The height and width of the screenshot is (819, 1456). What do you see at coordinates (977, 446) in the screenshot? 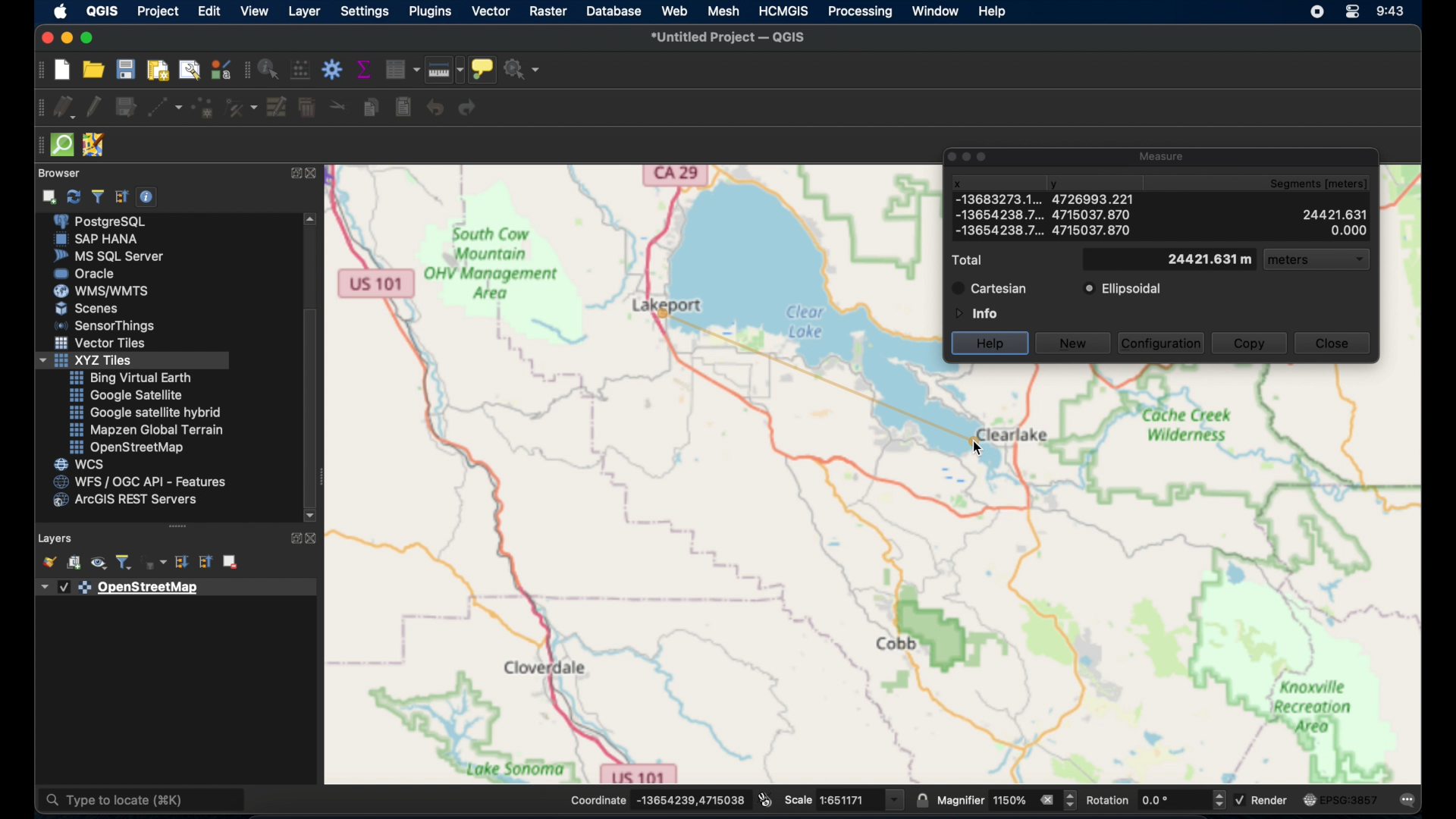
I see `cursor` at bounding box center [977, 446].